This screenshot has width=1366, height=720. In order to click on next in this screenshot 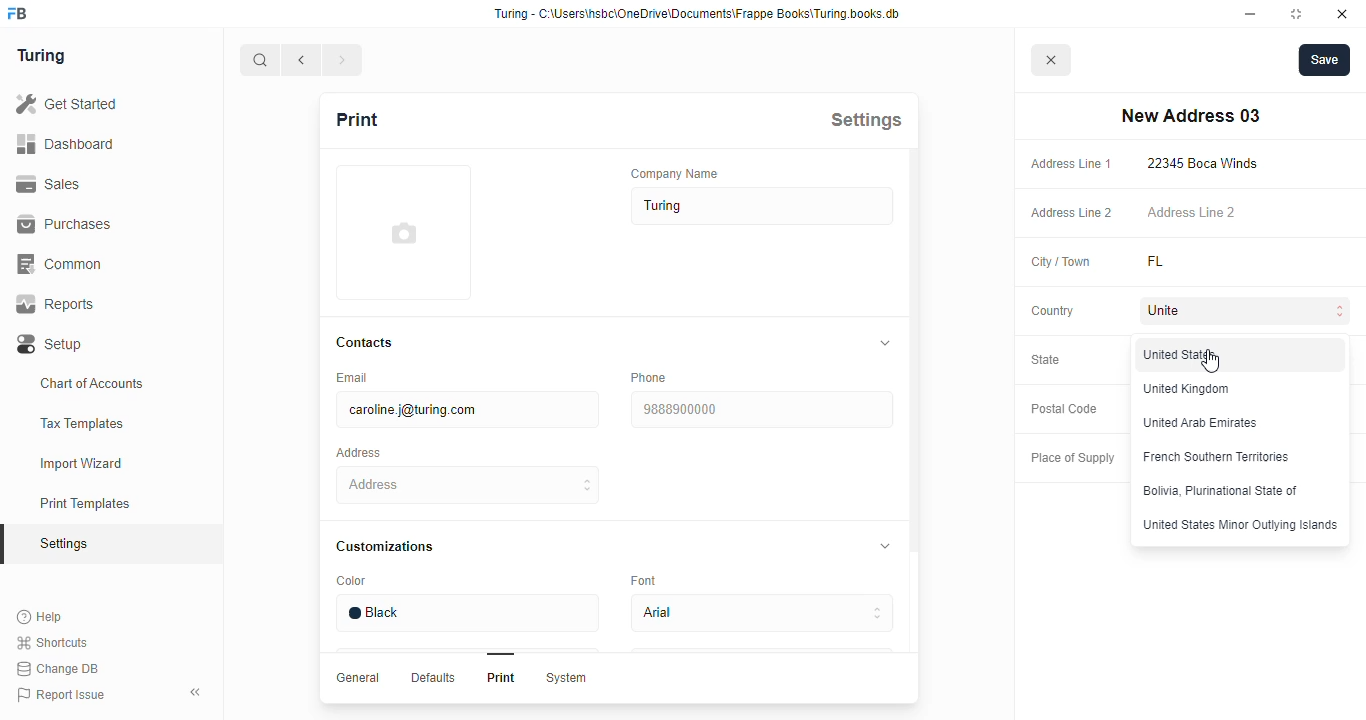, I will do `click(344, 60)`.